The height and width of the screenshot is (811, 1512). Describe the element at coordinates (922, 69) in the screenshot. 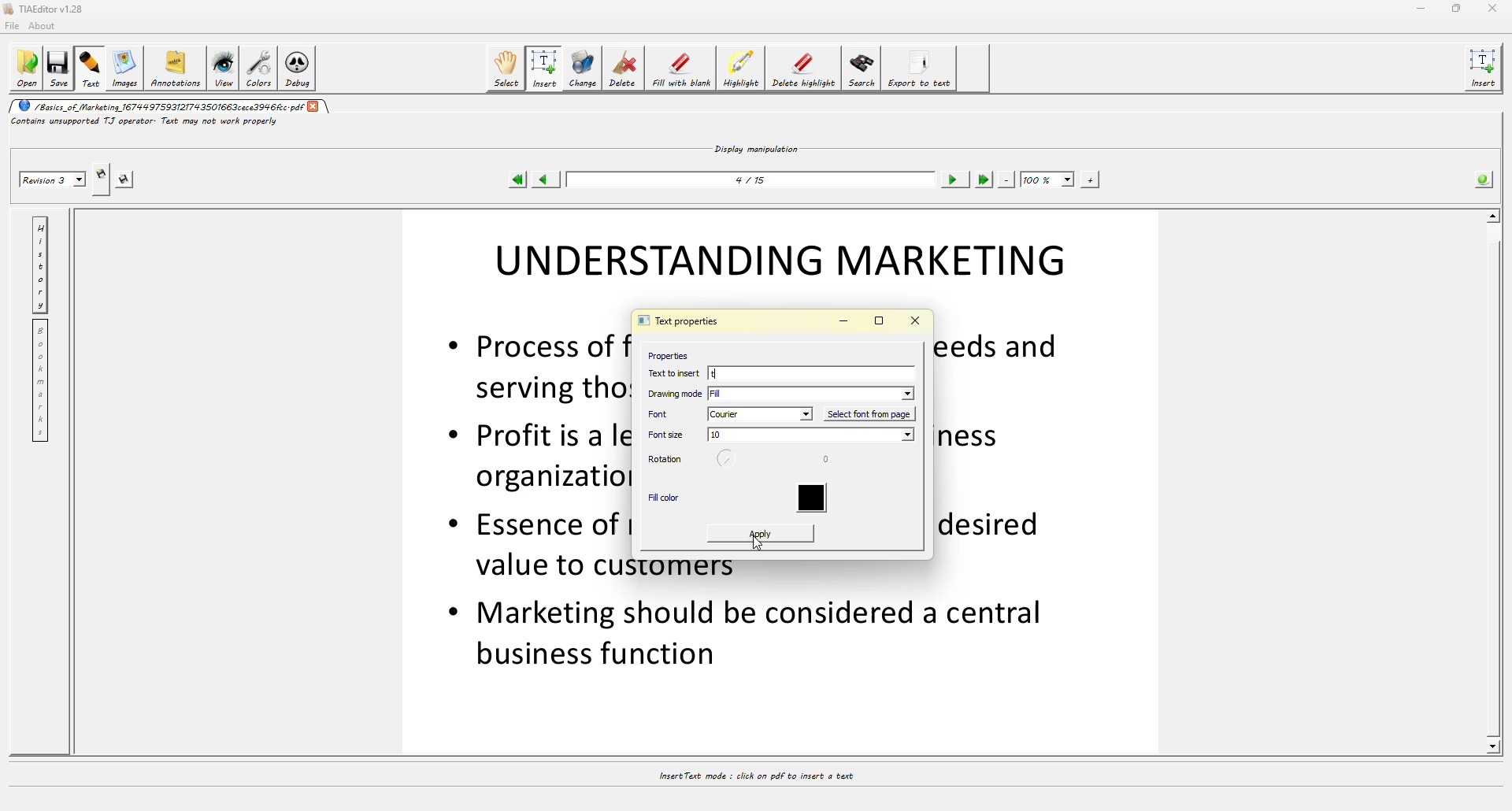

I see `export to text` at that location.